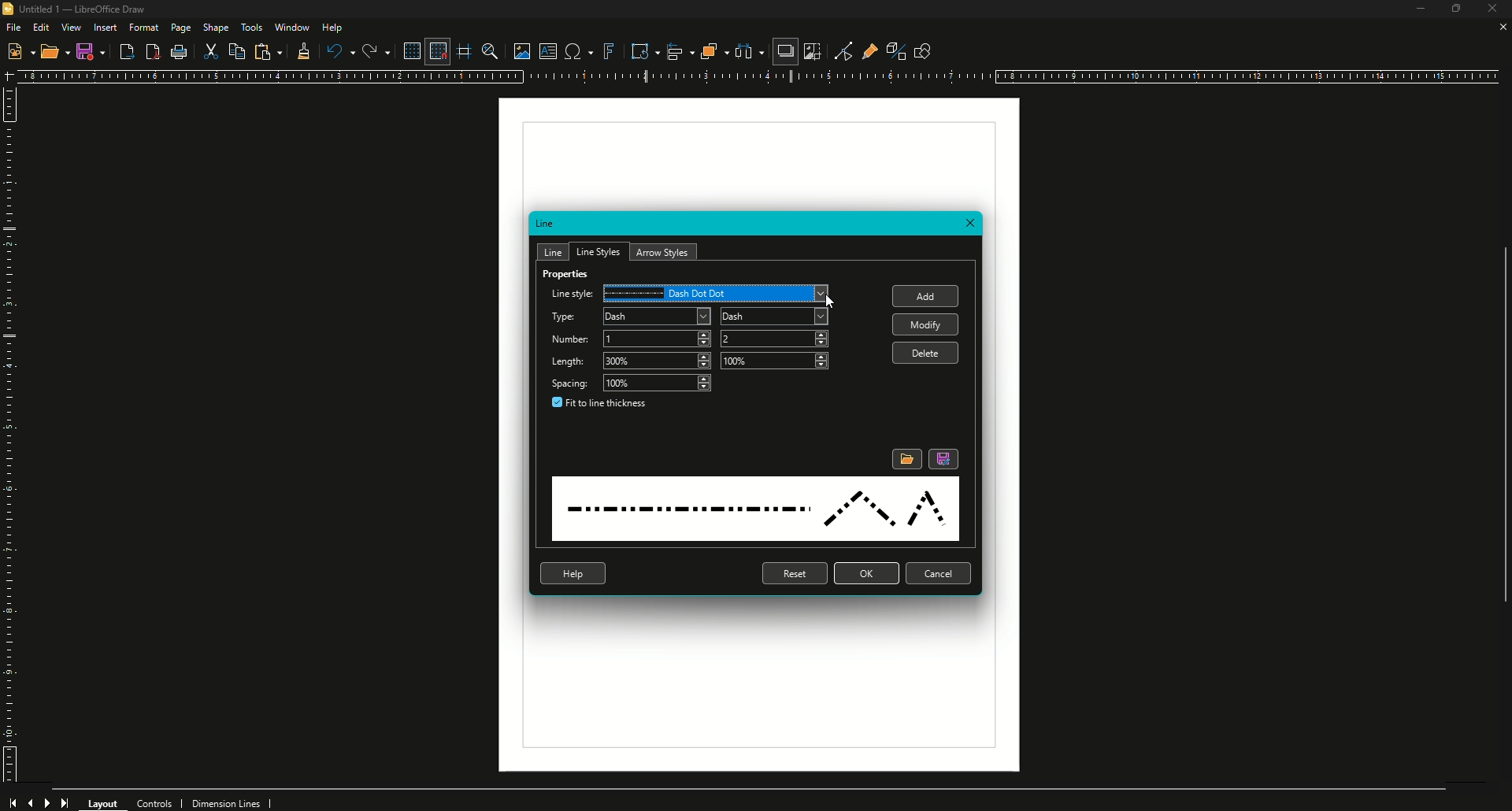 The width and height of the screenshot is (1512, 811). I want to click on Dash, so click(772, 315).